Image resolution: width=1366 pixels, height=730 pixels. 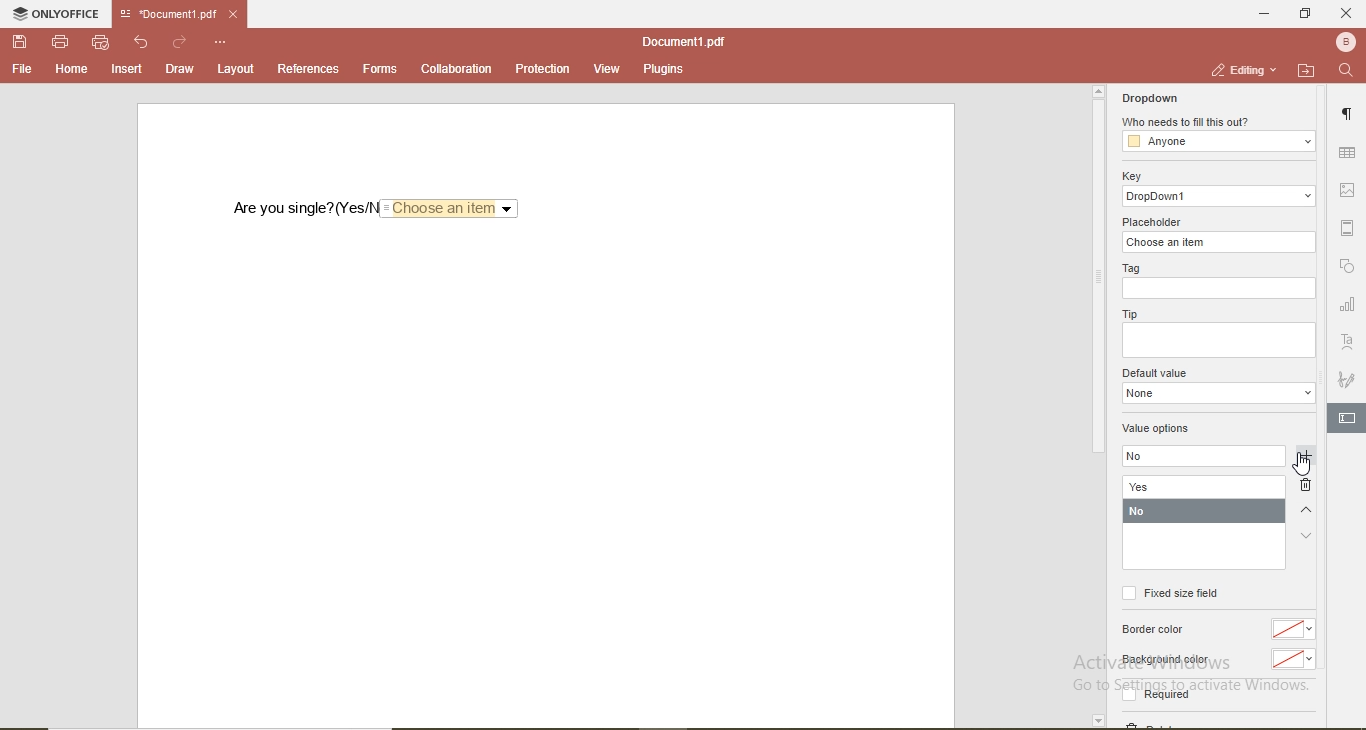 What do you see at coordinates (1349, 73) in the screenshot?
I see `search` at bounding box center [1349, 73].